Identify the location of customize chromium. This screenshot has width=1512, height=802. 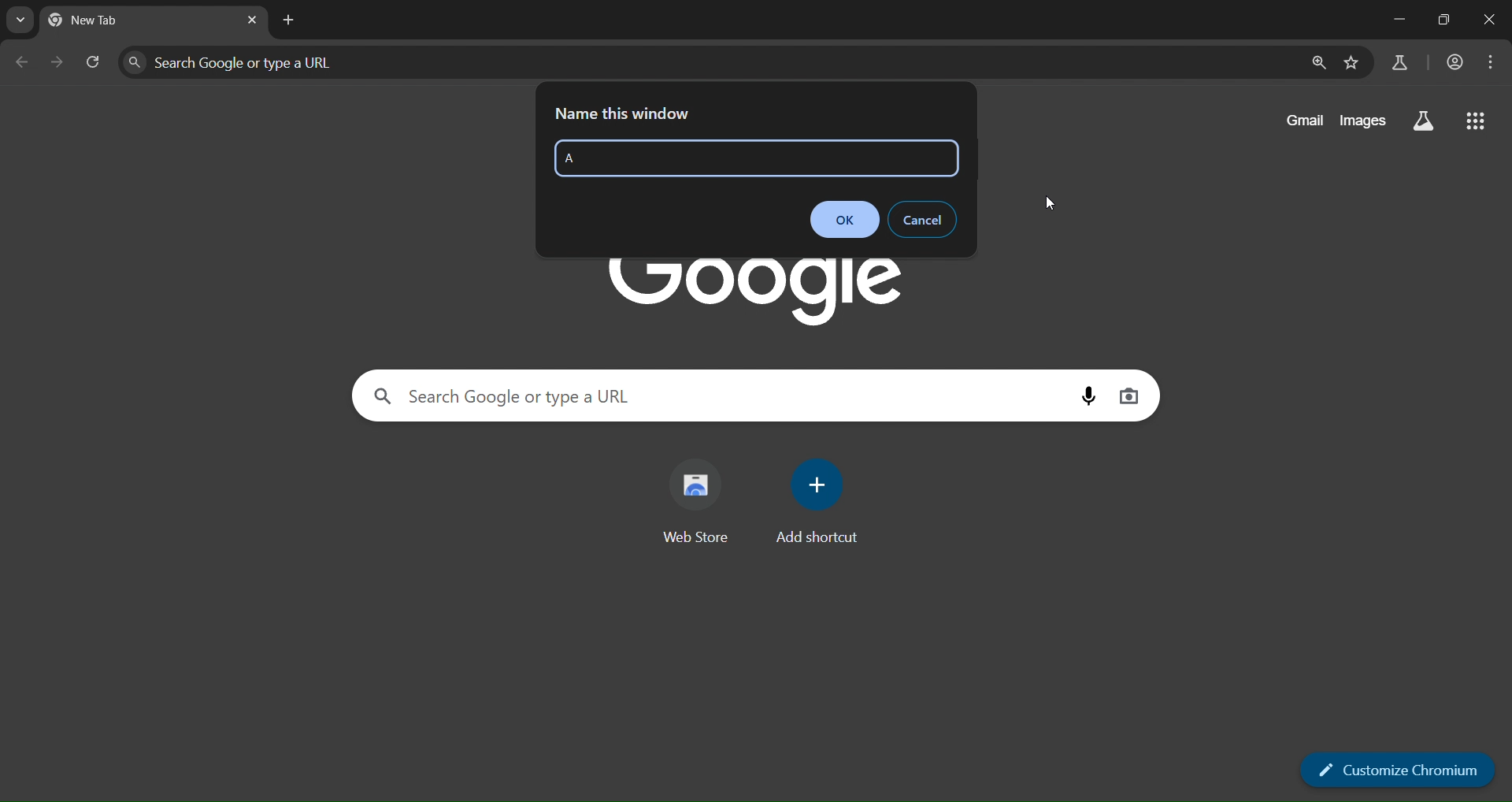
(1399, 768).